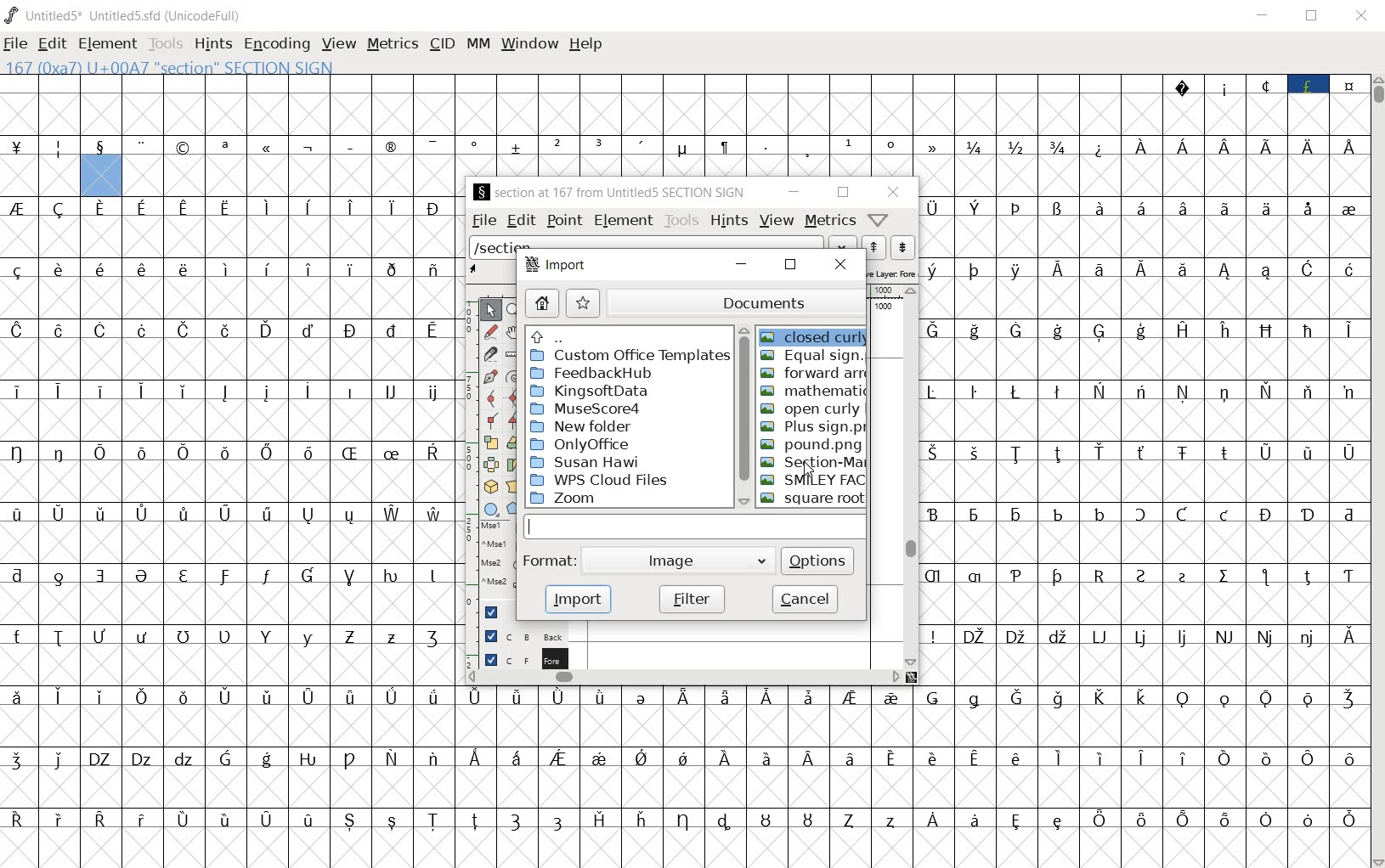 The width and height of the screenshot is (1385, 868). Describe the element at coordinates (514, 485) in the screenshot. I see `perform a perspective transformation on the selection` at that location.